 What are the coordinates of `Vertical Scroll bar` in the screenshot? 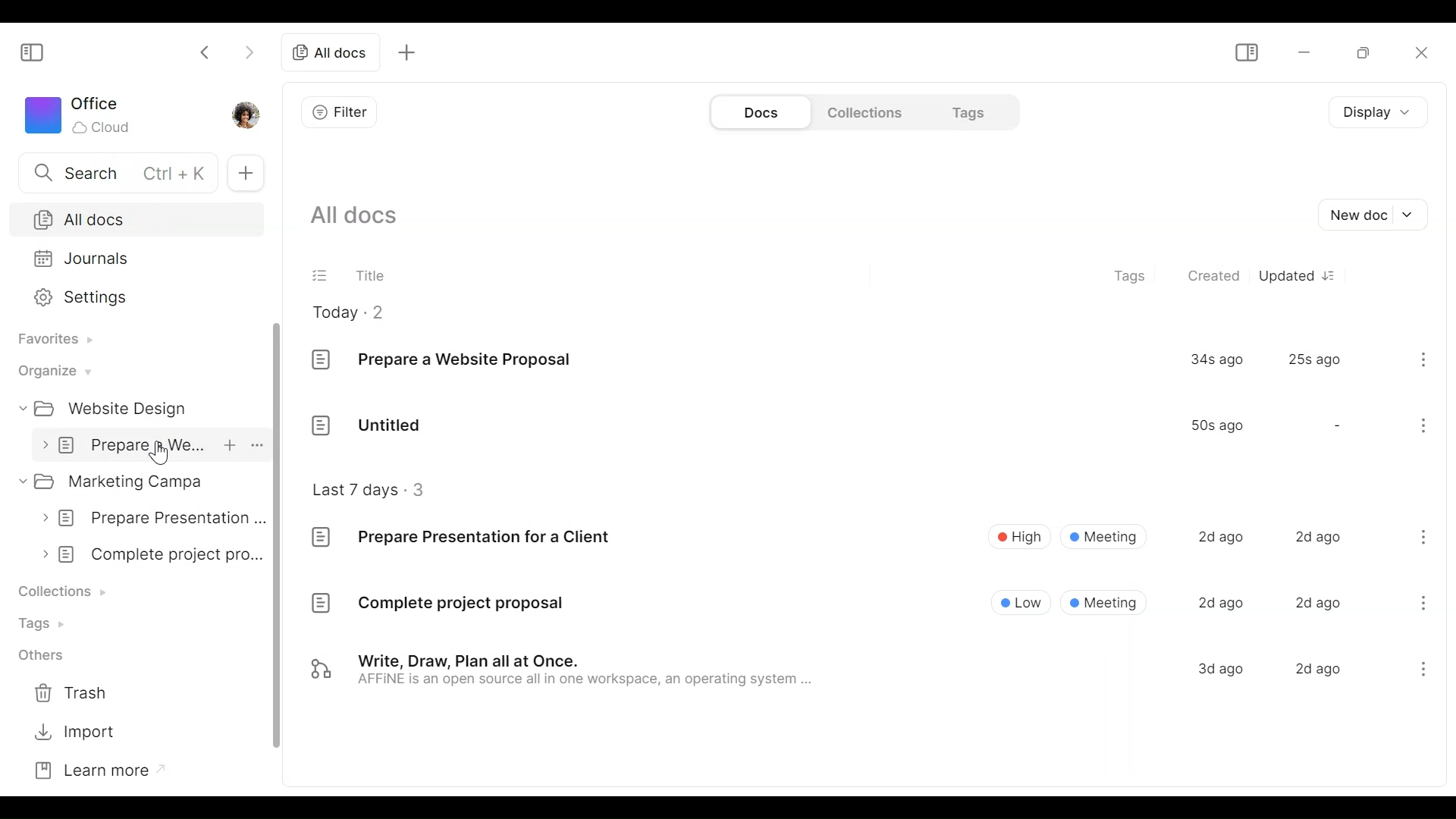 It's located at (278, 536).